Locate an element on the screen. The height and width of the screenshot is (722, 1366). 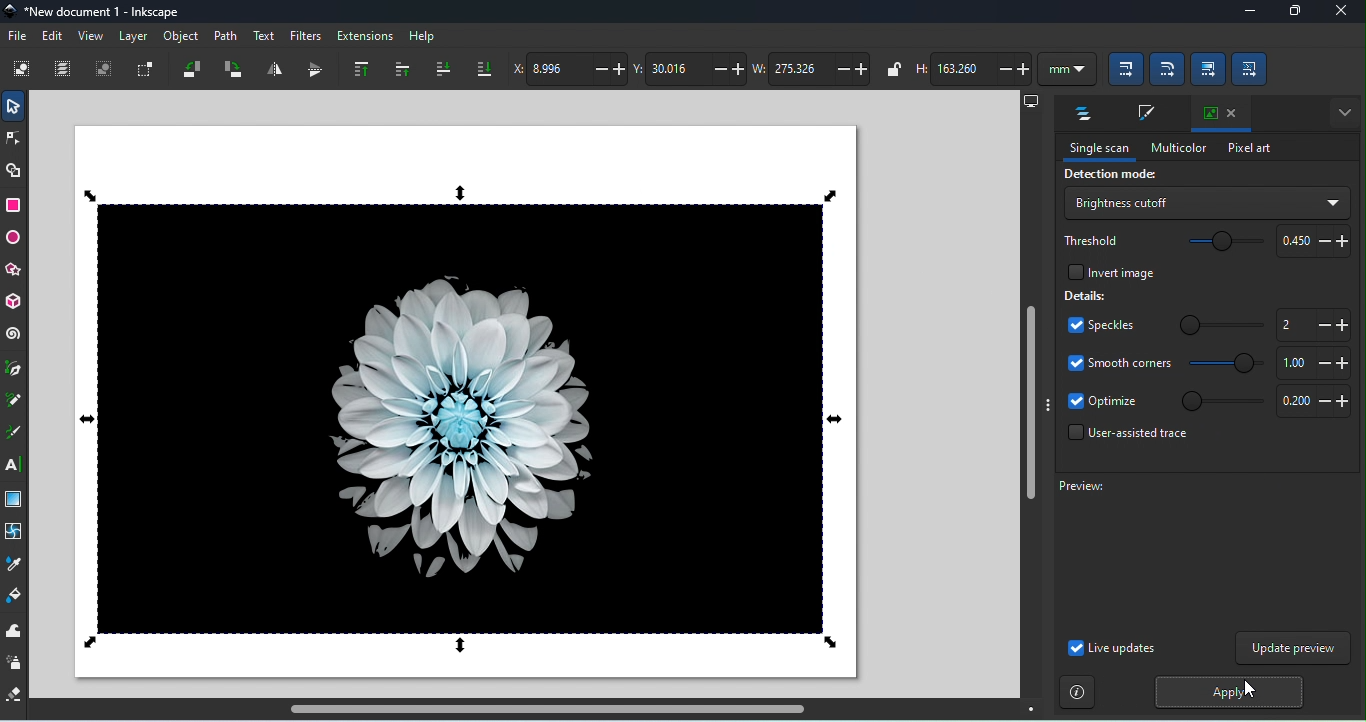
Instruction is located at coordinates (1078, 692).